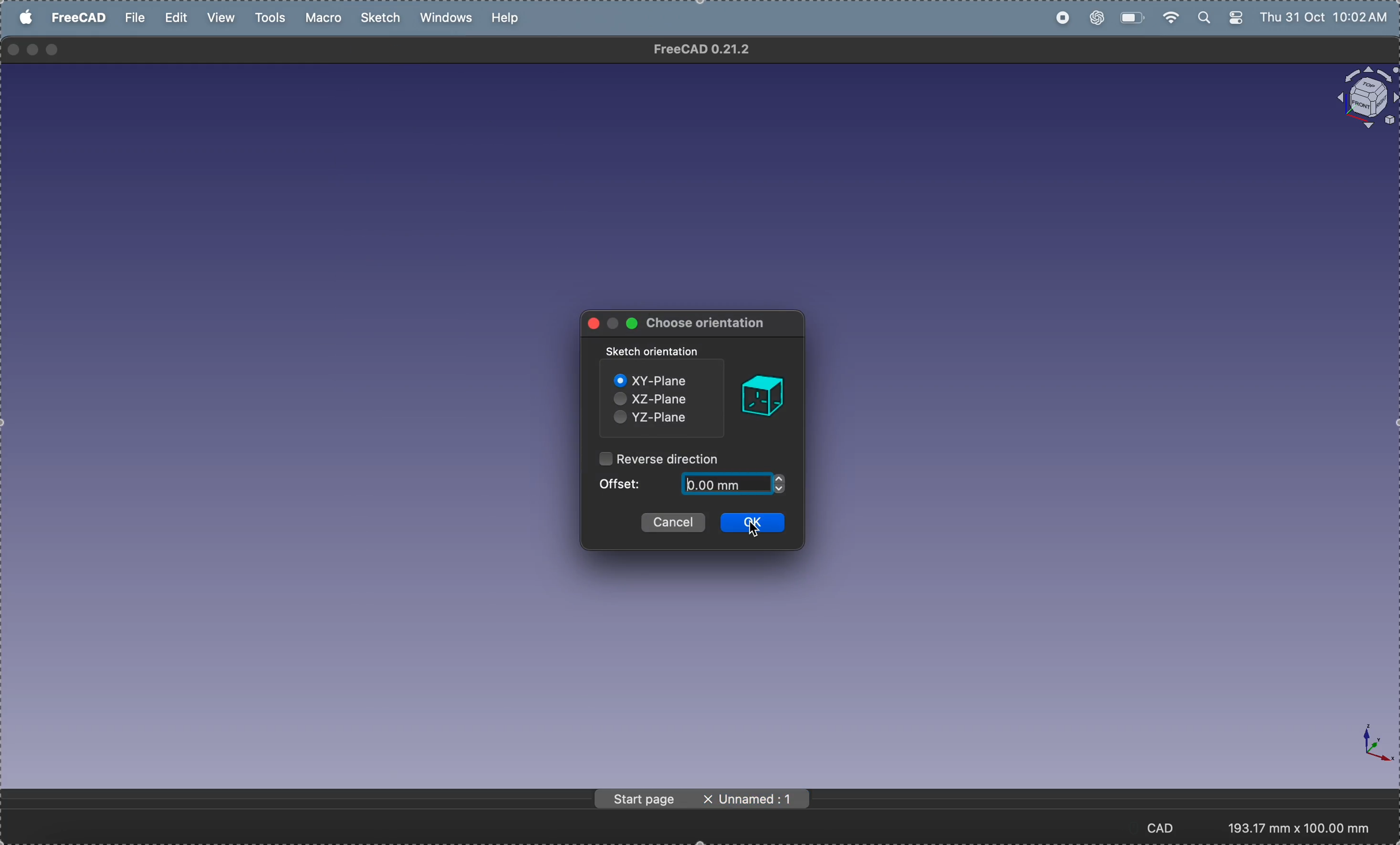 The height and width of the screenshot is (845, 1400). What do you see at coordinates (14, 50) in the screenshot?
I see `closing window` at bounding box center [14, 50].